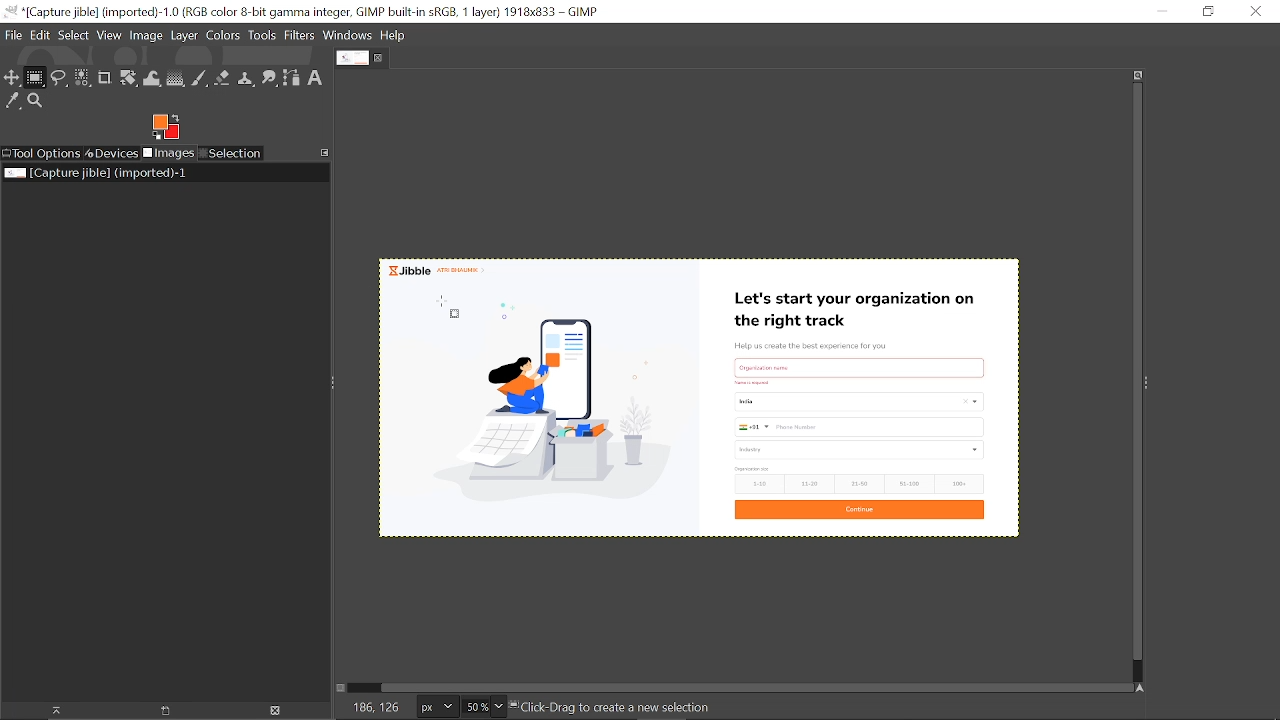 The image size is (1280, 720). What do you see at coordinates (247, 80) in the screenshot?
I see `Clone tool` at bounding box center [247, 80].